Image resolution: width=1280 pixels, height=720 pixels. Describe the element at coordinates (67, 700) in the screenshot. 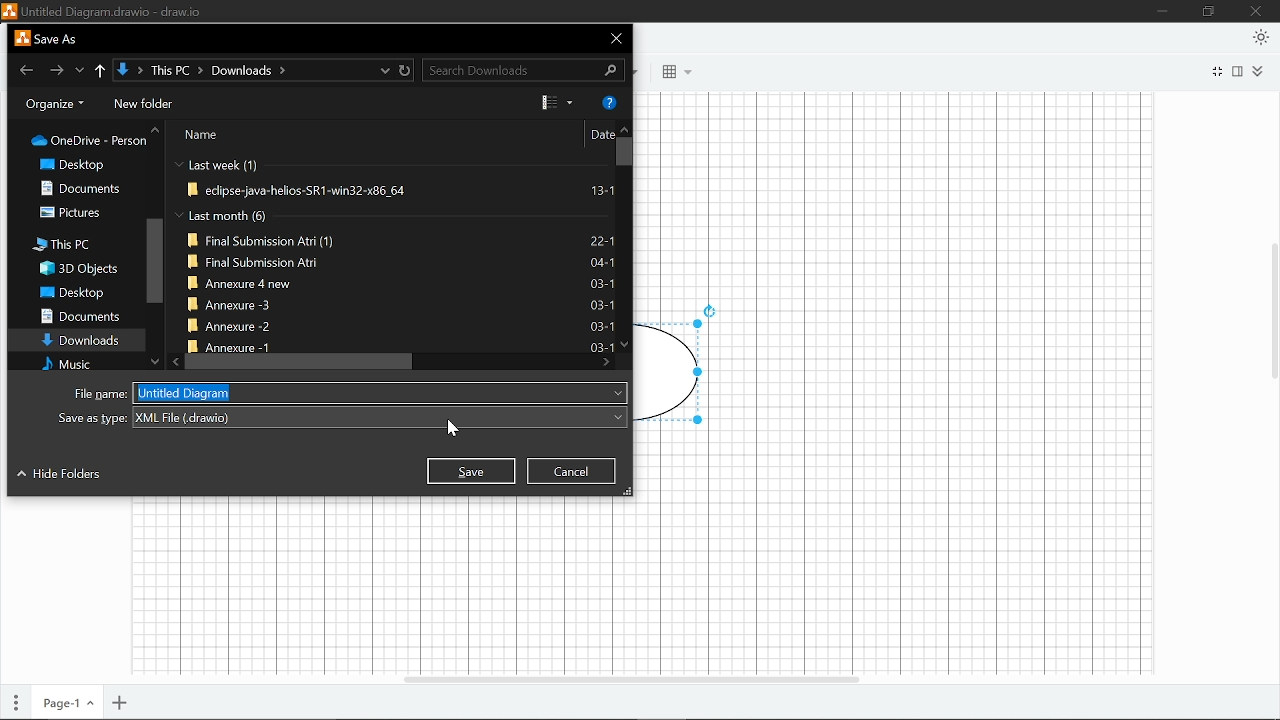

I see `Current page` at that location.